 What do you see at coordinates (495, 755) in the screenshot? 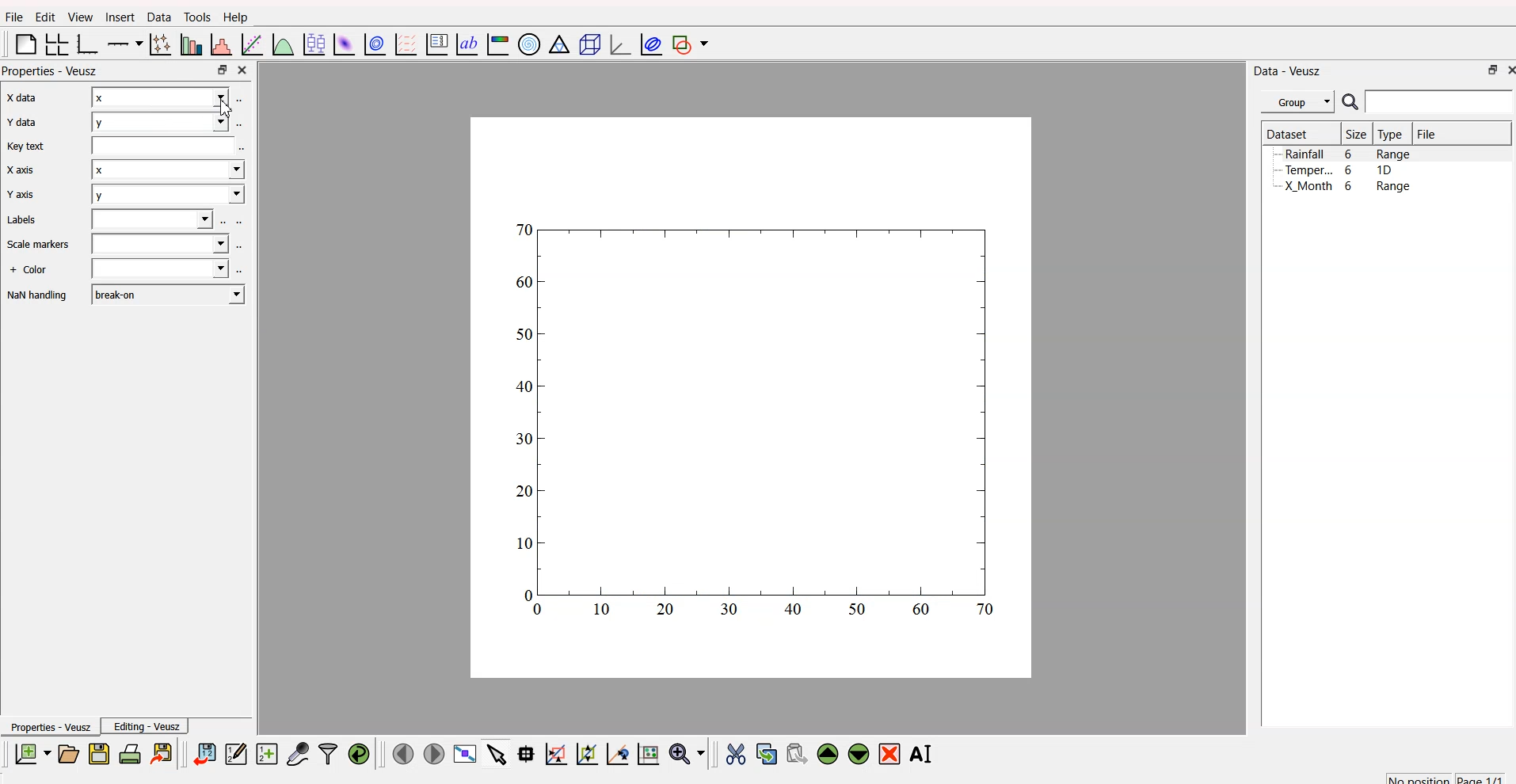
I see `select items from graph` at bounding box center [495, 755].